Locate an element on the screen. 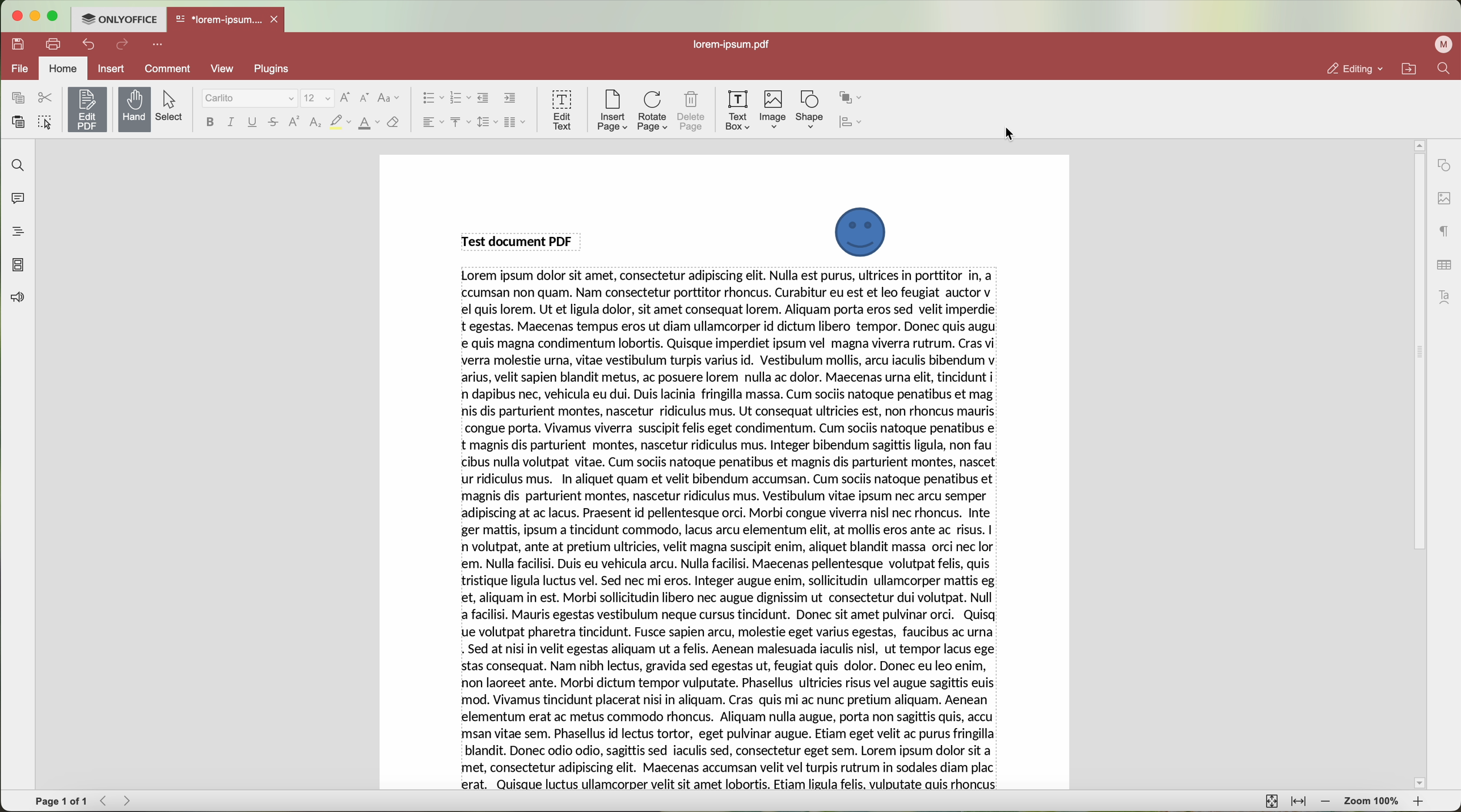 The width and height of the screenshot is (1461, 812). table settings is located at coordinates (1443, 263).